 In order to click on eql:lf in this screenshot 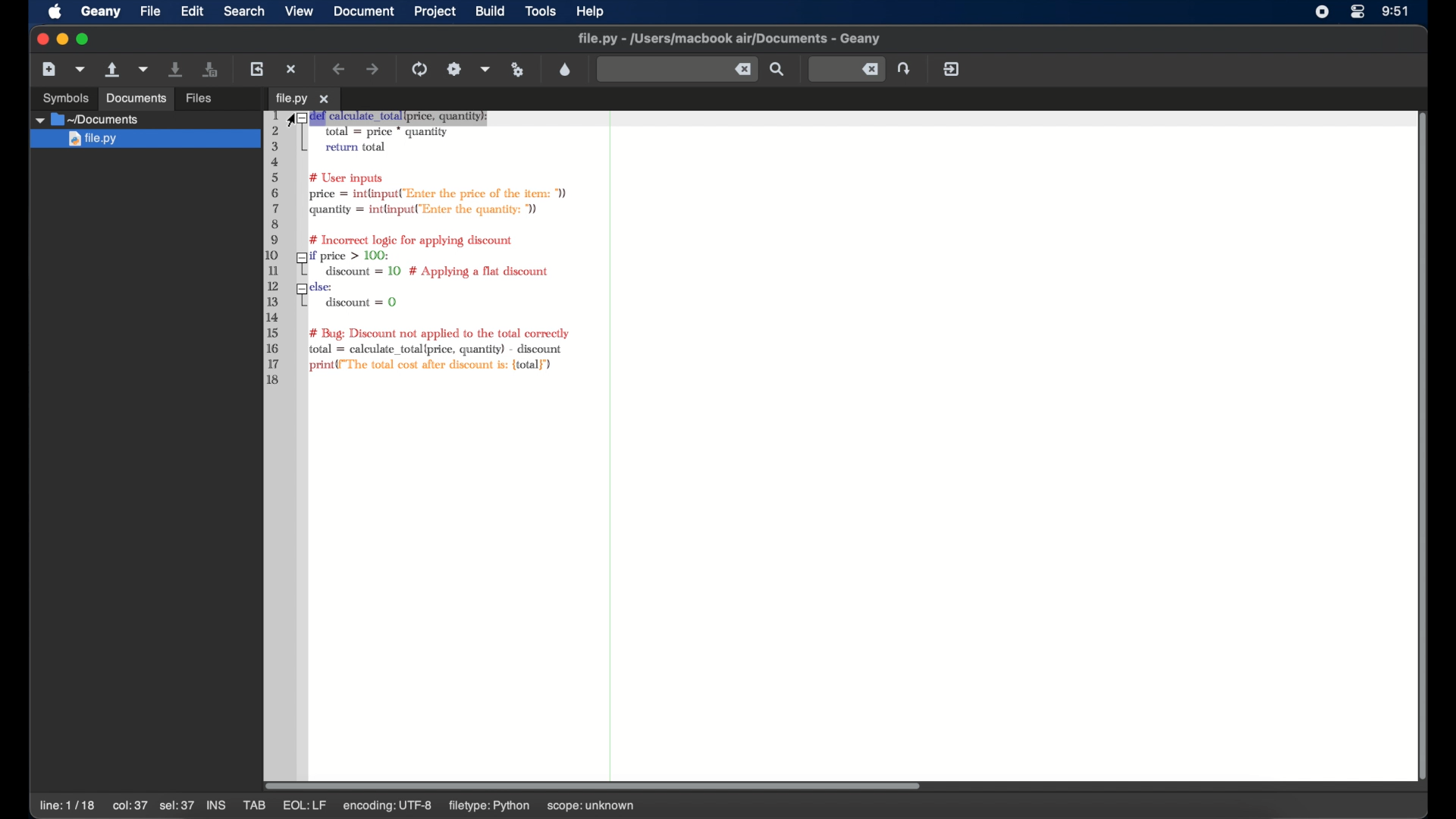, I will do `click(304, 805)`.